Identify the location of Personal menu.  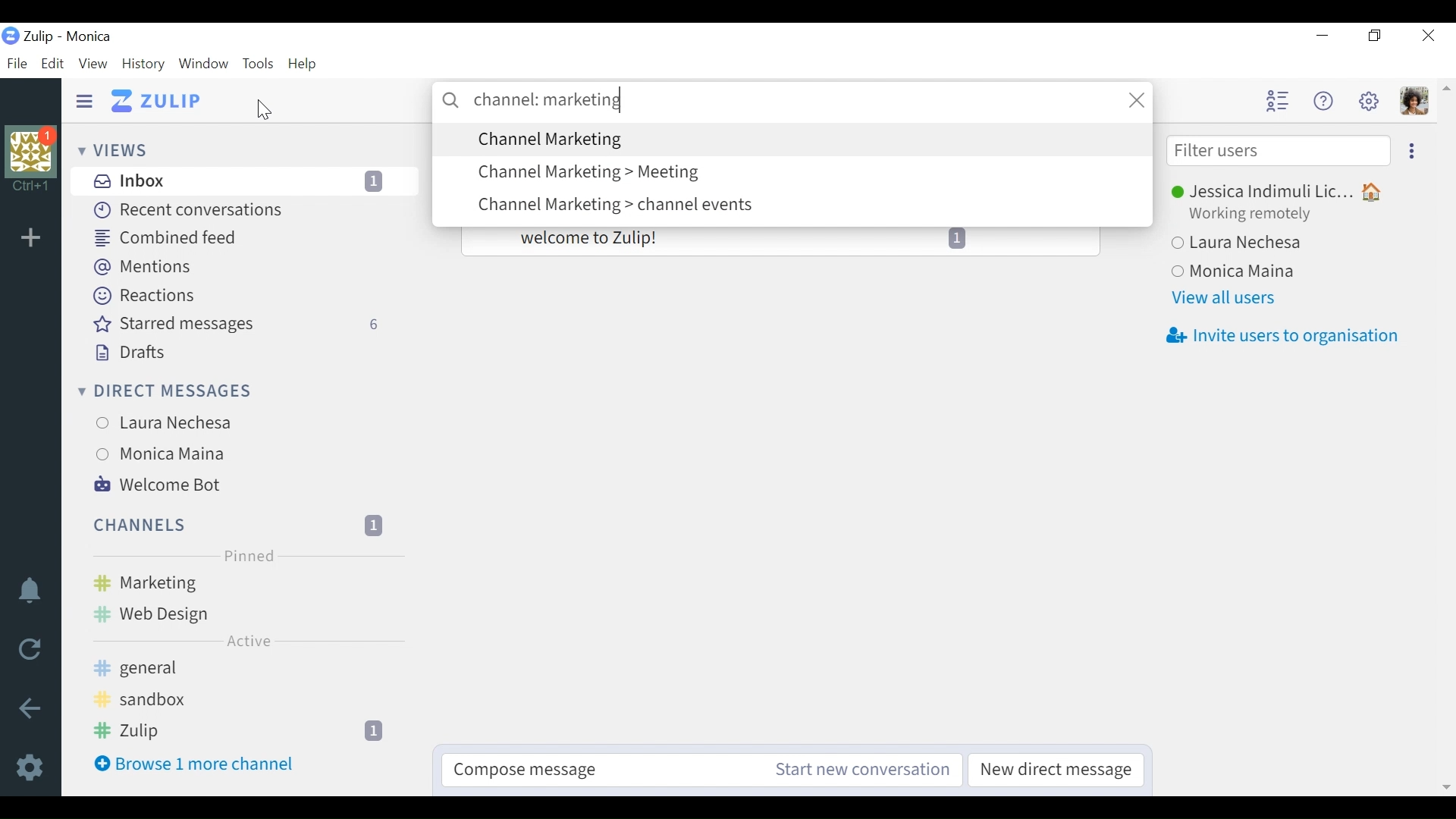
(1414, 101).